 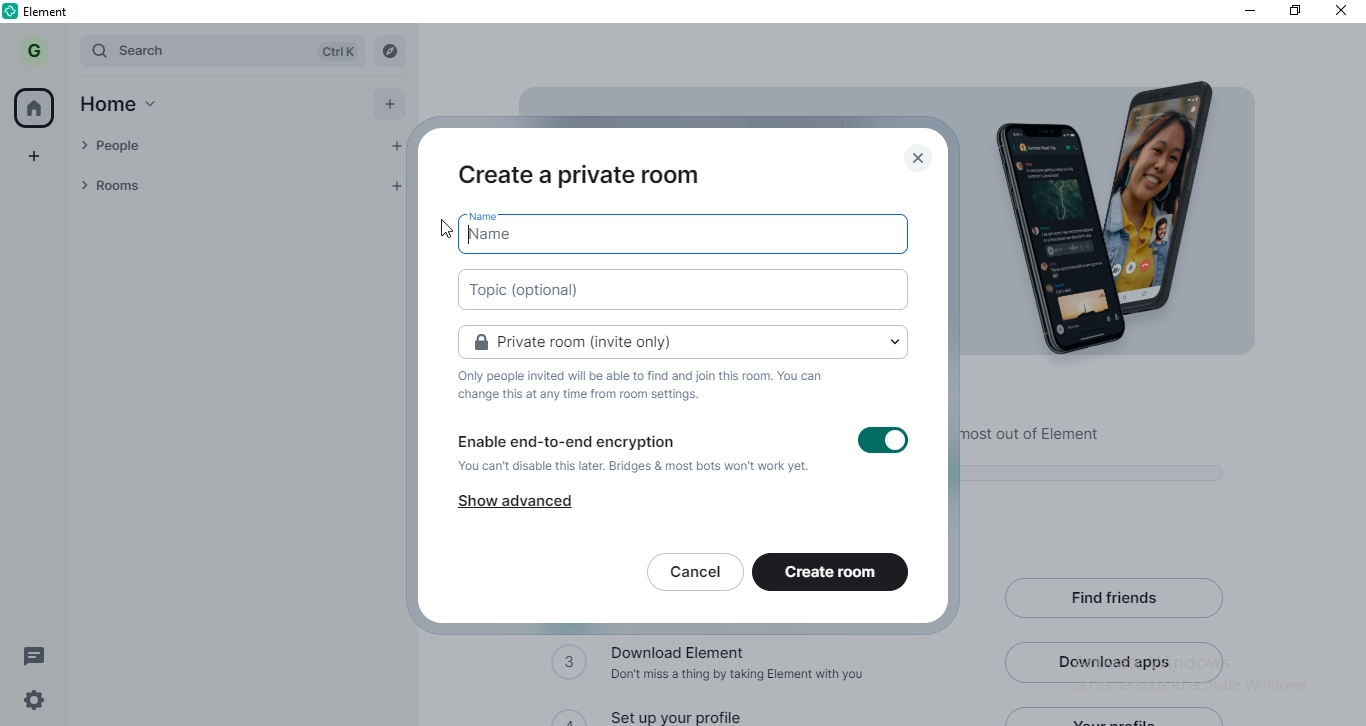 What do you see at coordinates (37, 107) in the screenshot?
I see `home` at bounding box center [37, 107].